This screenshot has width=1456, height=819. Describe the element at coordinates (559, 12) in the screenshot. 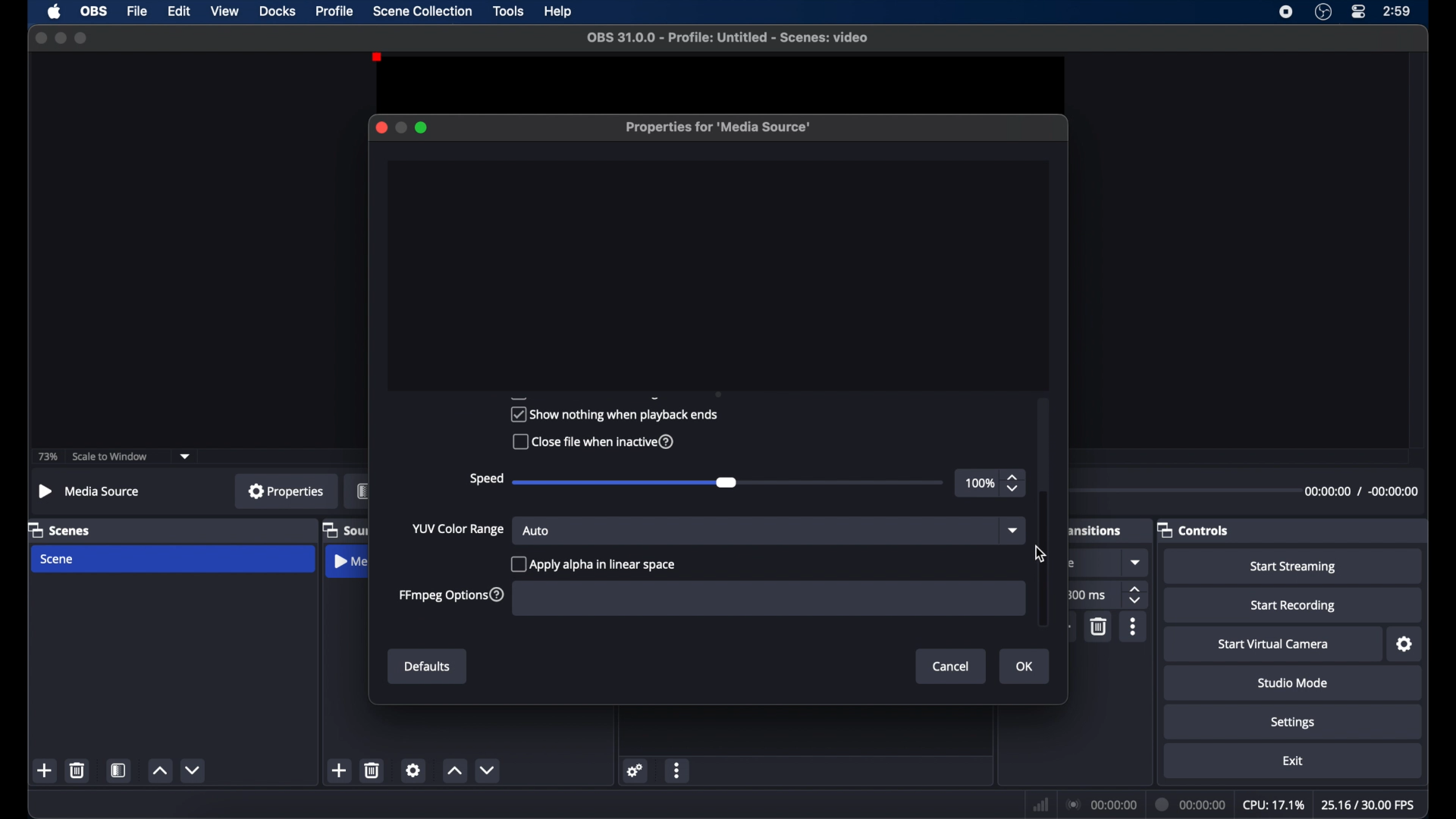

I see `help` at that location.